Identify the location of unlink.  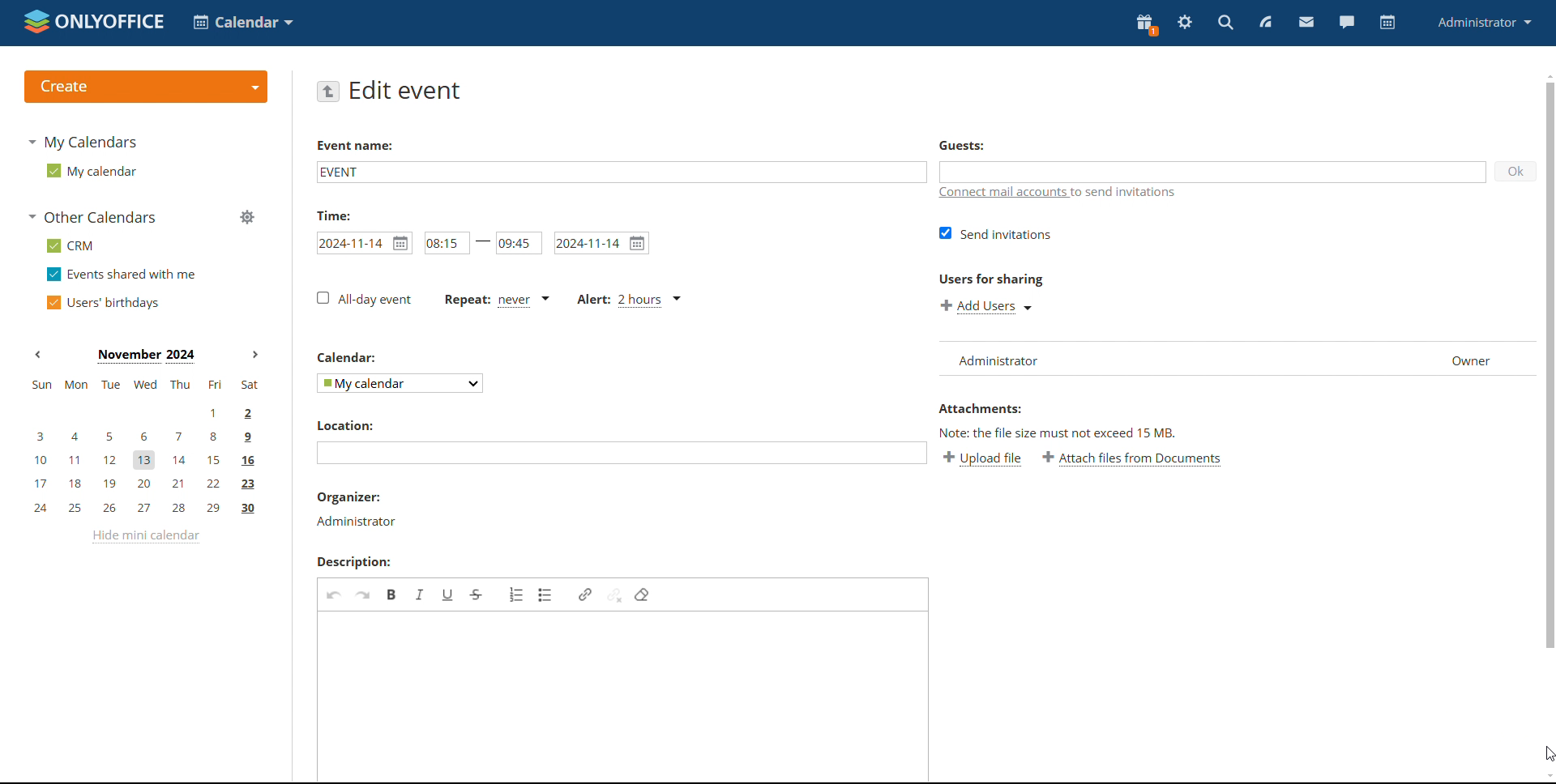
(614, 595).